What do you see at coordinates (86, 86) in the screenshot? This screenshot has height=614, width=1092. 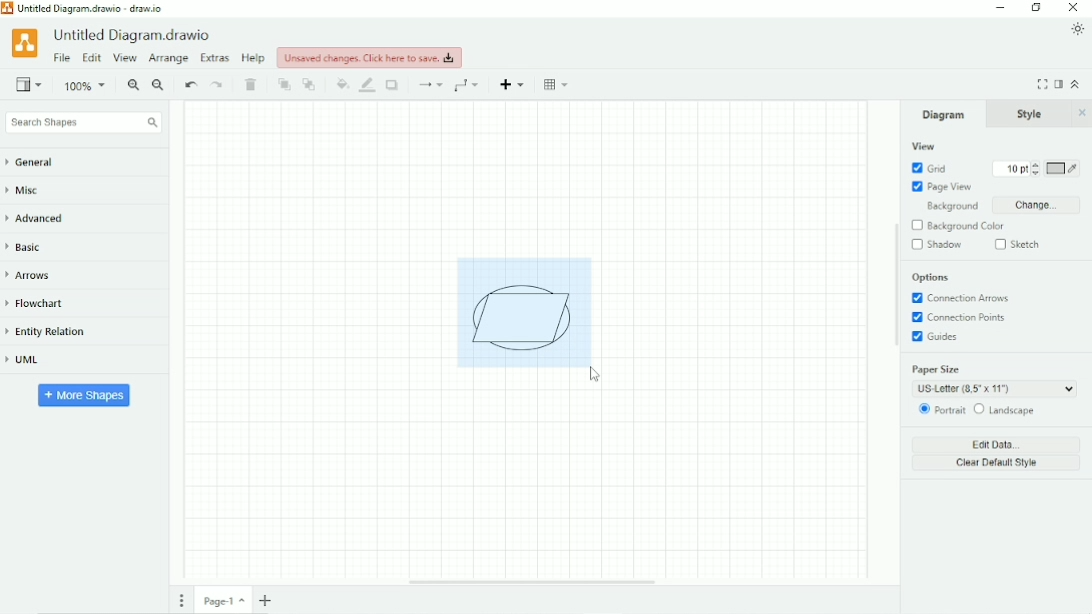 I see `Zoom factor` at bounding box center [86, 86].